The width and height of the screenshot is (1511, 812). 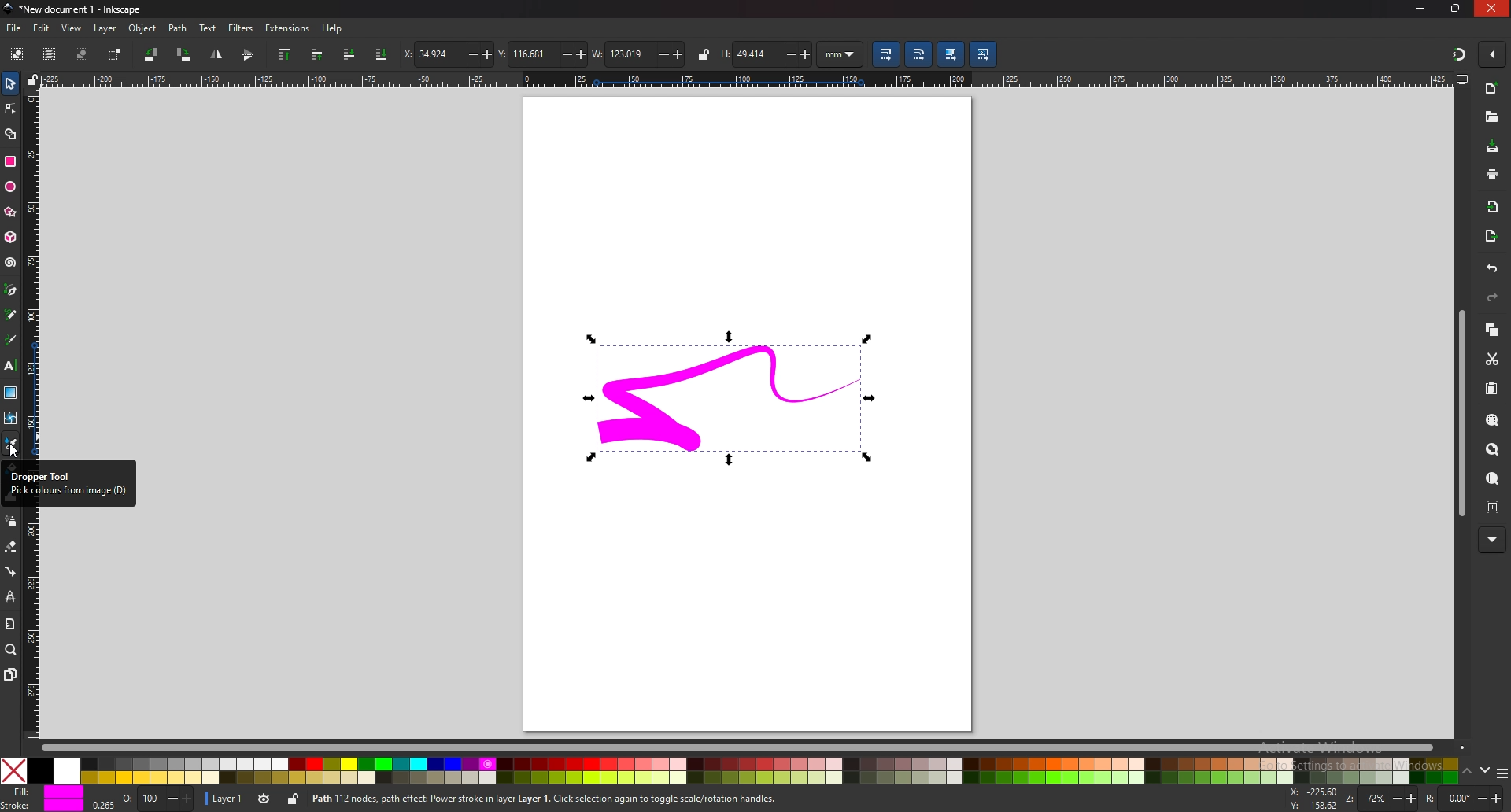 What do you see at coordinates (157, 799) in the screenshot?
I see `opacity` at bounding box center [157, 799].